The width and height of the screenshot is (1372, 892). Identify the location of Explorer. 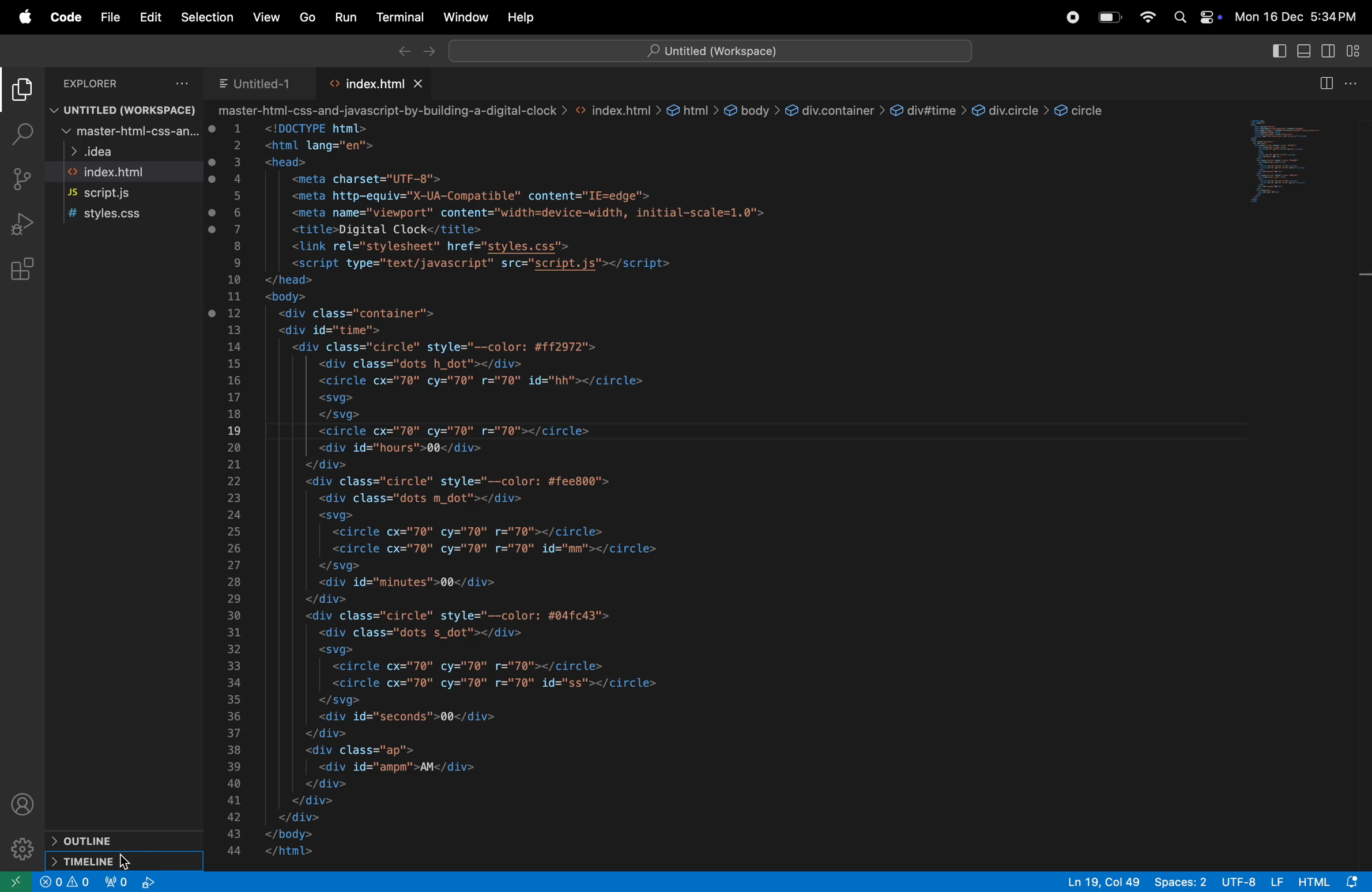
(120, 84).